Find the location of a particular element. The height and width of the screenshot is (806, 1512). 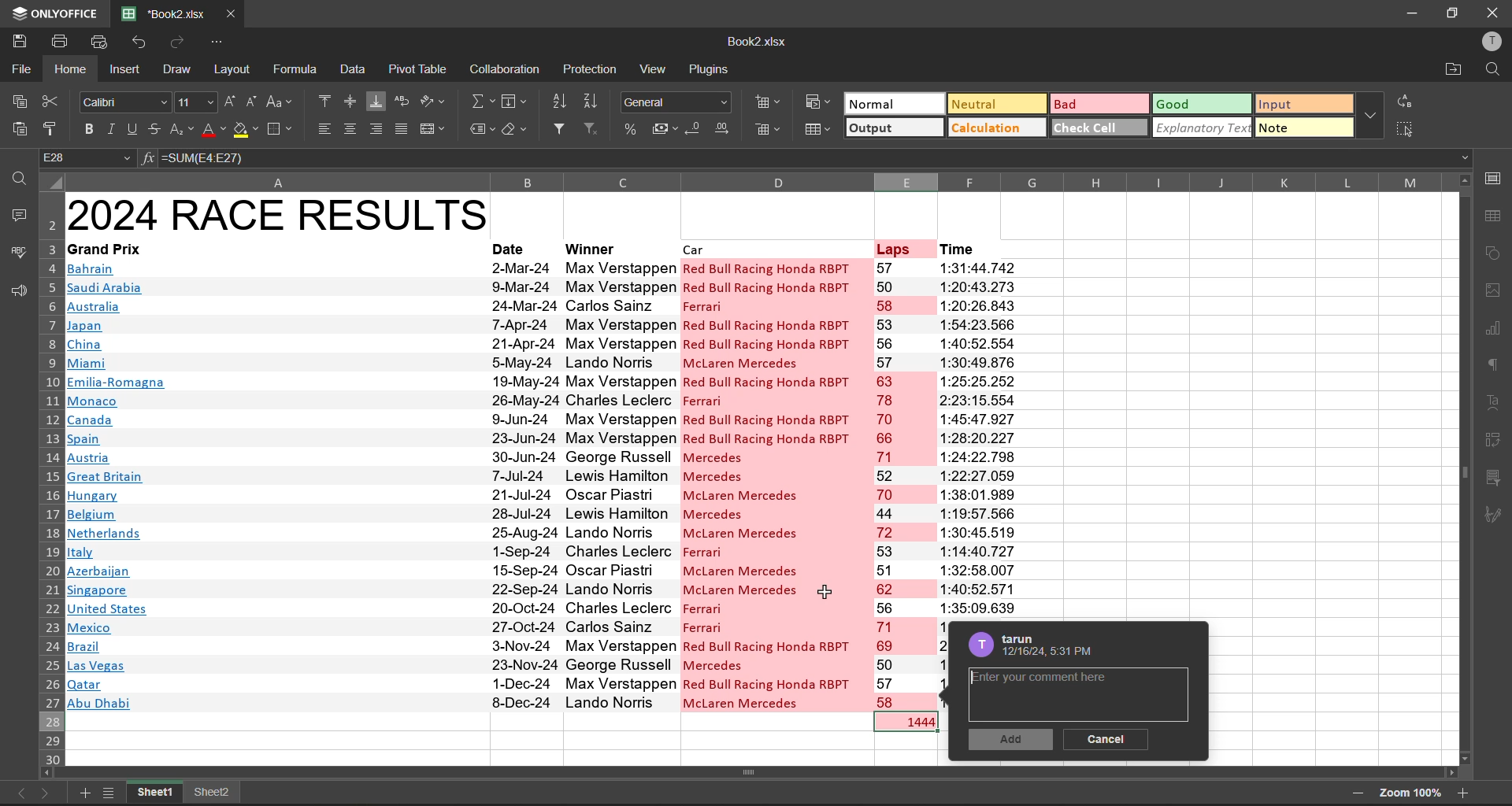

file is located at coordinates (19, 68).